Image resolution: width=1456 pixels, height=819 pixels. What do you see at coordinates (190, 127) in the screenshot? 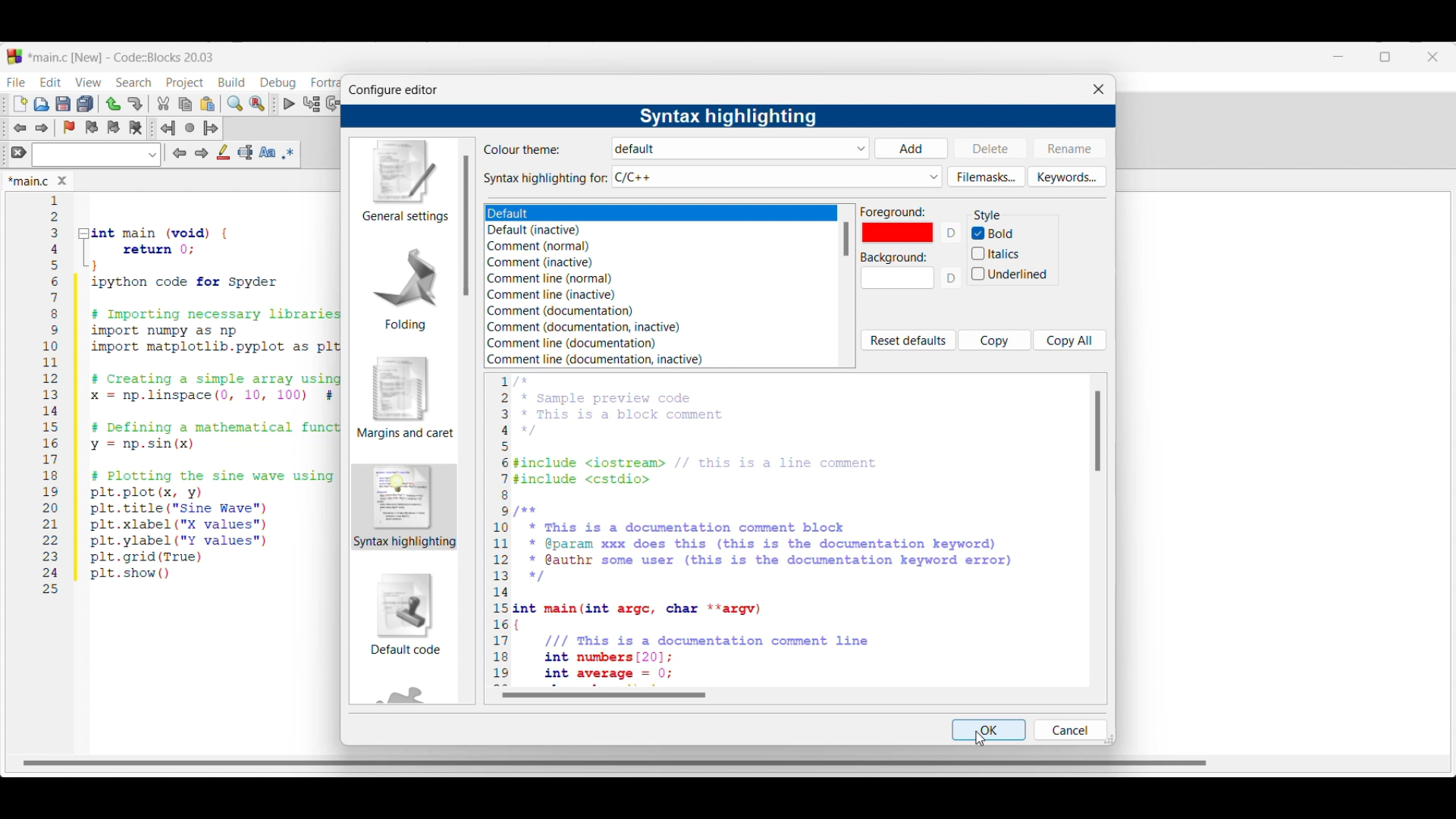
I see `Last jump` at bounding box center [190, 127].